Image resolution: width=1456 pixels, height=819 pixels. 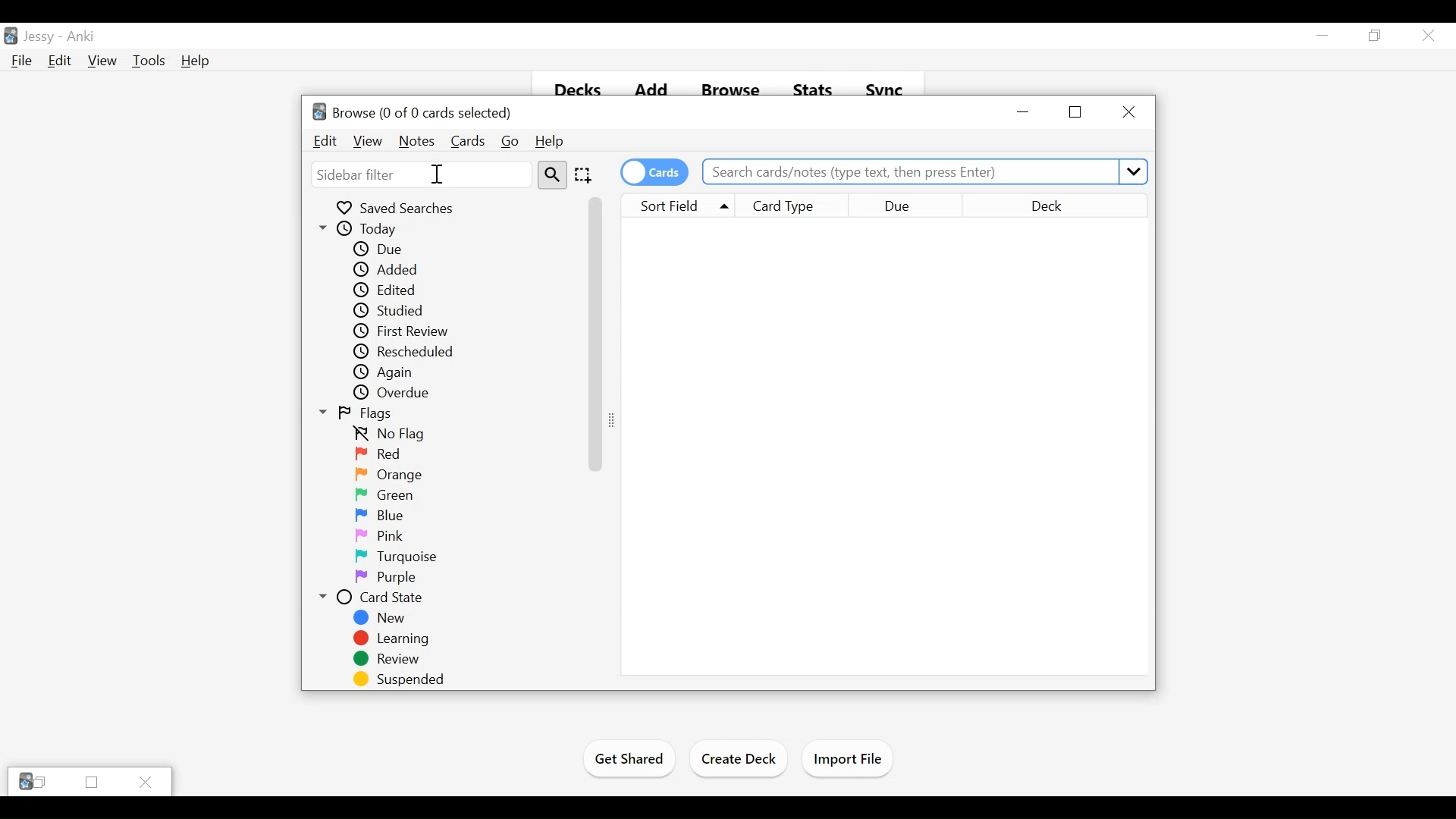 I want to click on Help, so click(x=548, y=142).